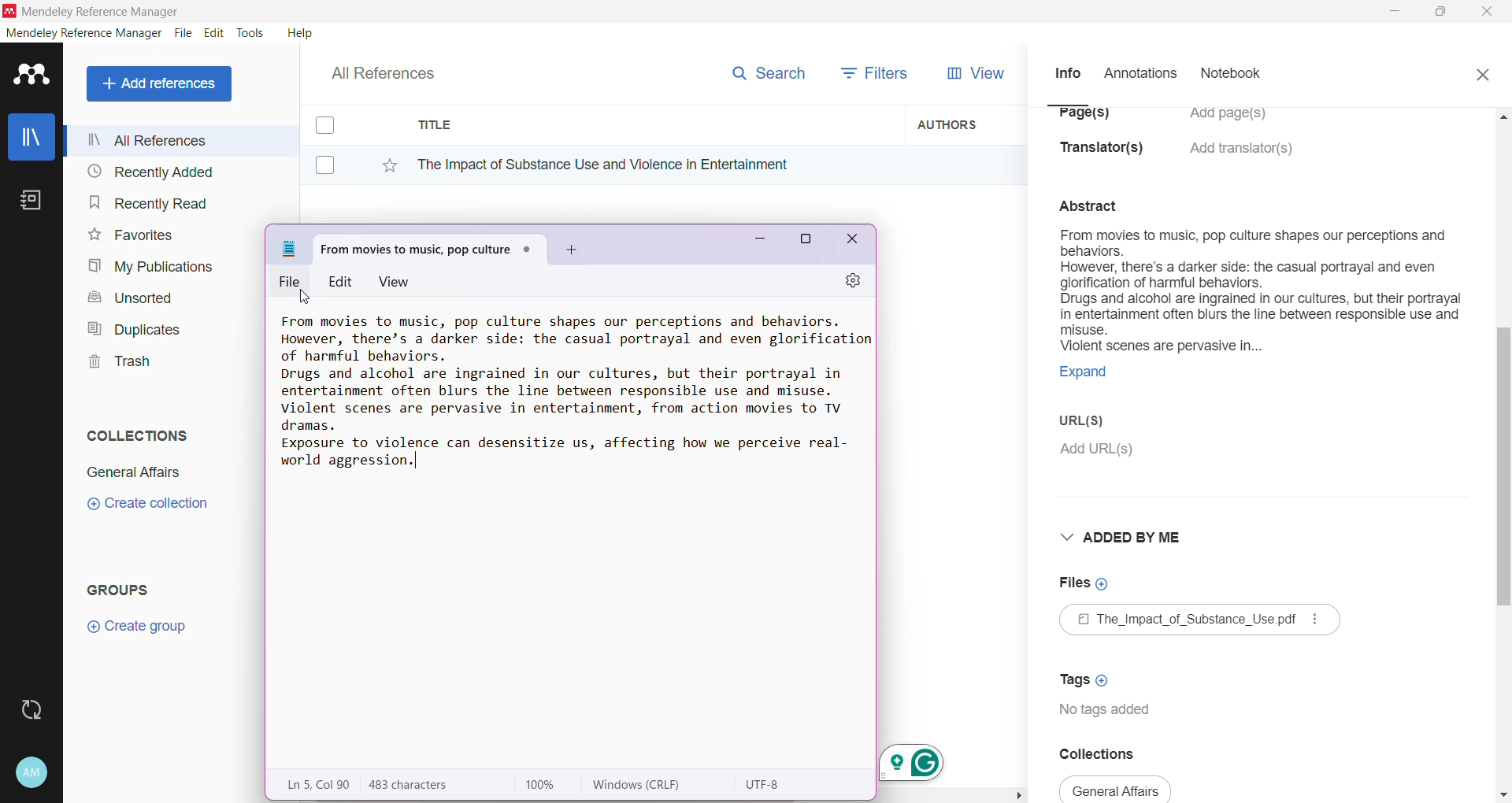 The image size is (1512, 803). What do you see at coordinates (129, 235) in the screenshot?
I see `Favorites` at bounding box center [129, 235].